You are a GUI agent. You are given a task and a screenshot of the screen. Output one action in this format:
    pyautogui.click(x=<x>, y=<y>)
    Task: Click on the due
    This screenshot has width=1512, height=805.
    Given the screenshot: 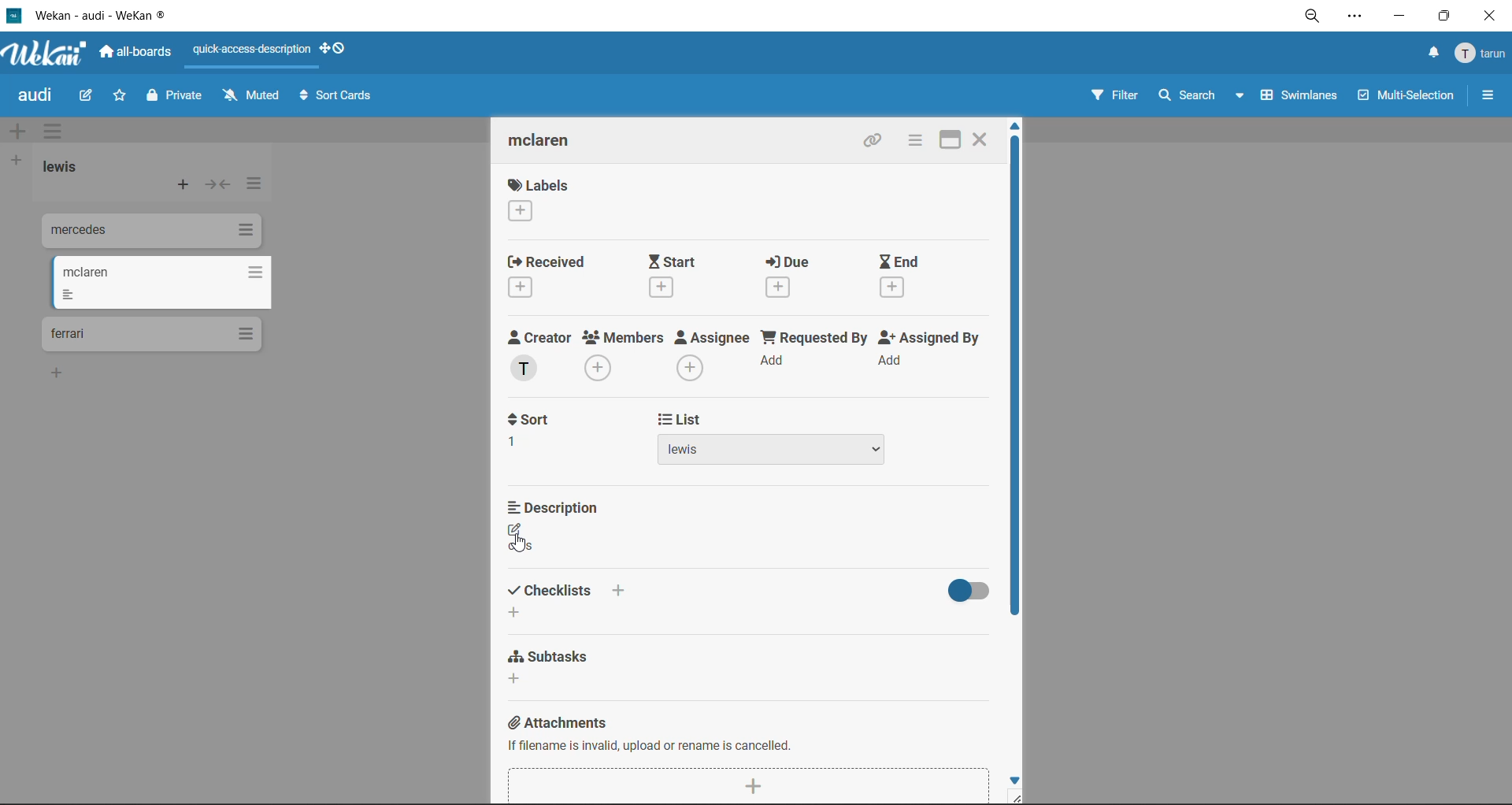 What is the action you would take?
    pyautogui.click(x=802, y=276)
    